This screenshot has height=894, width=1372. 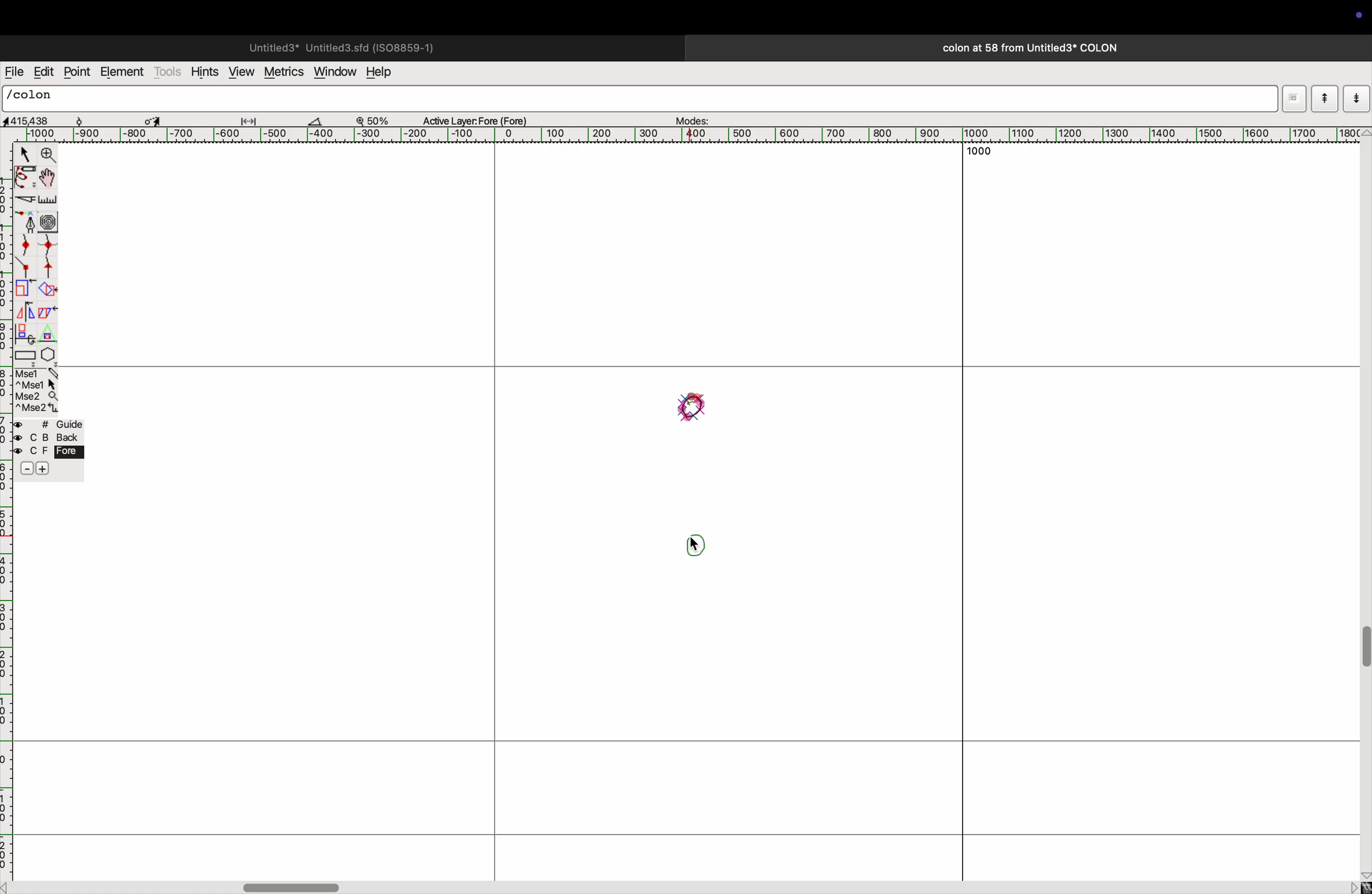 What do you see at coordinates (26, 333) in the screenshot?
I see `clone` at bounding box center [26, 333].